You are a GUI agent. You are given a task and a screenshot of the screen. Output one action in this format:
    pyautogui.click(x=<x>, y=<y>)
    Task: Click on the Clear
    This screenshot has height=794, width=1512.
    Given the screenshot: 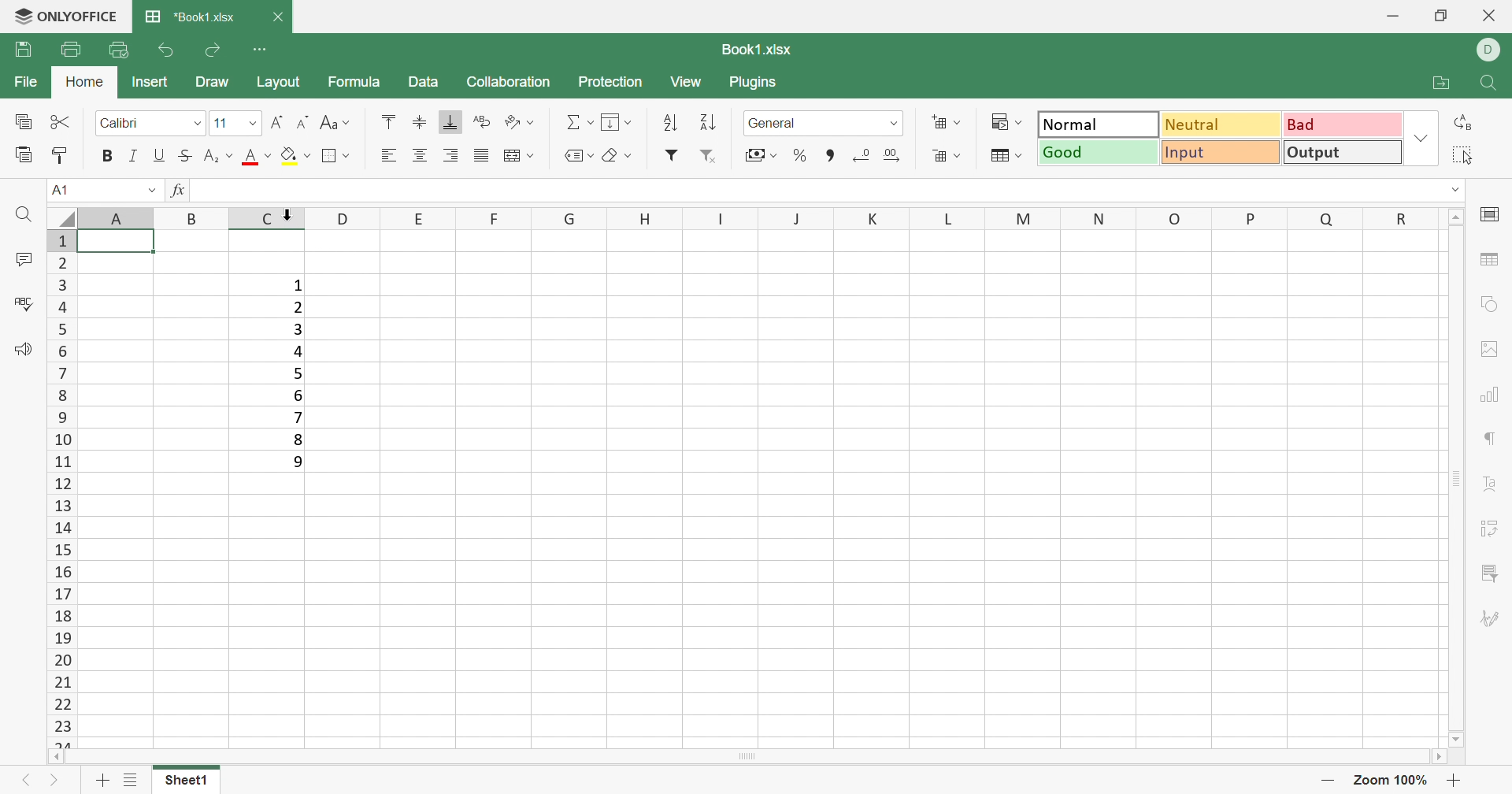 What is the action you would take?
    pyautogui.click(x=617, y=157)
    